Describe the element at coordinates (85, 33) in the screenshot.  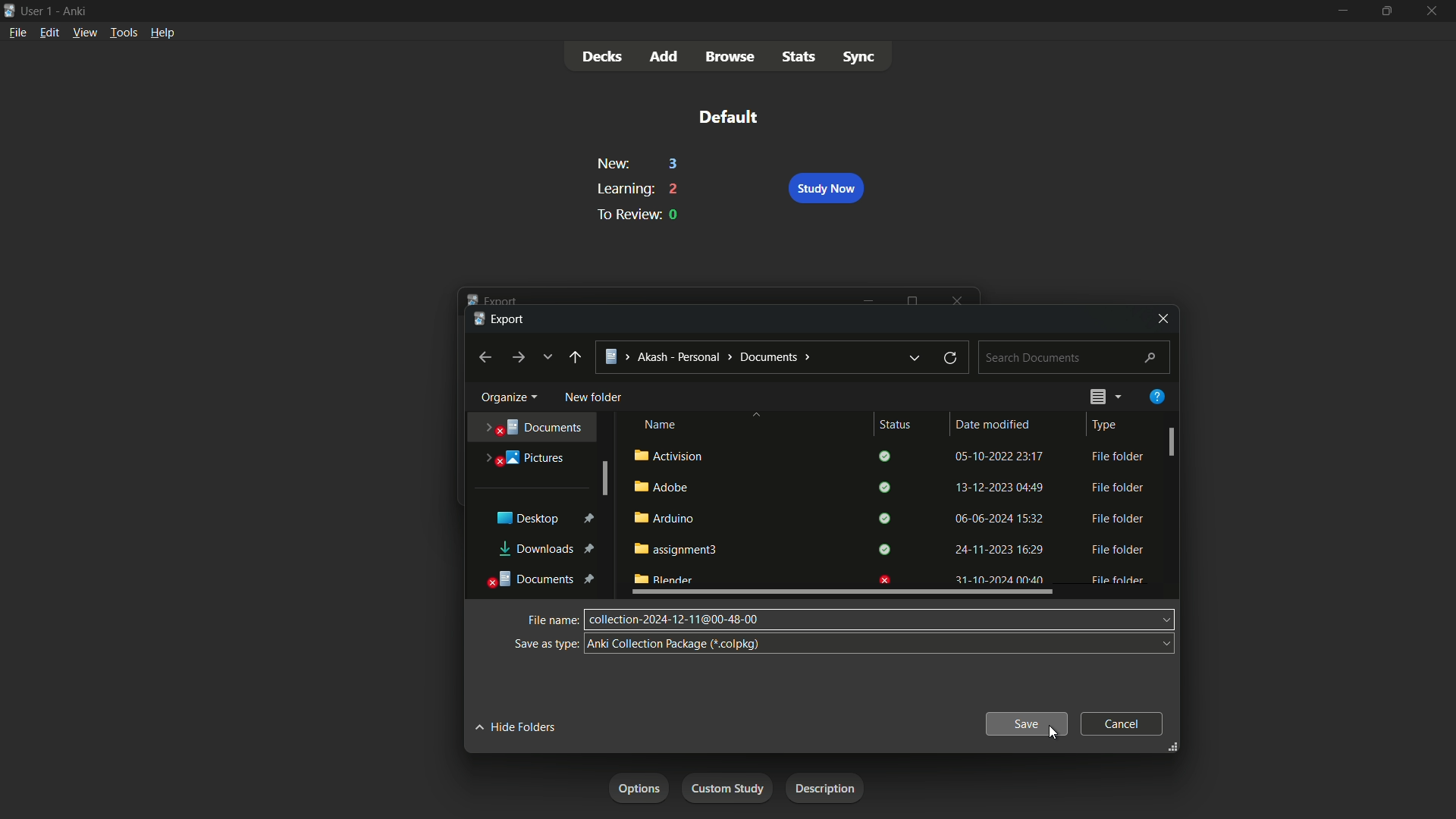
I see `view menu` at that location.